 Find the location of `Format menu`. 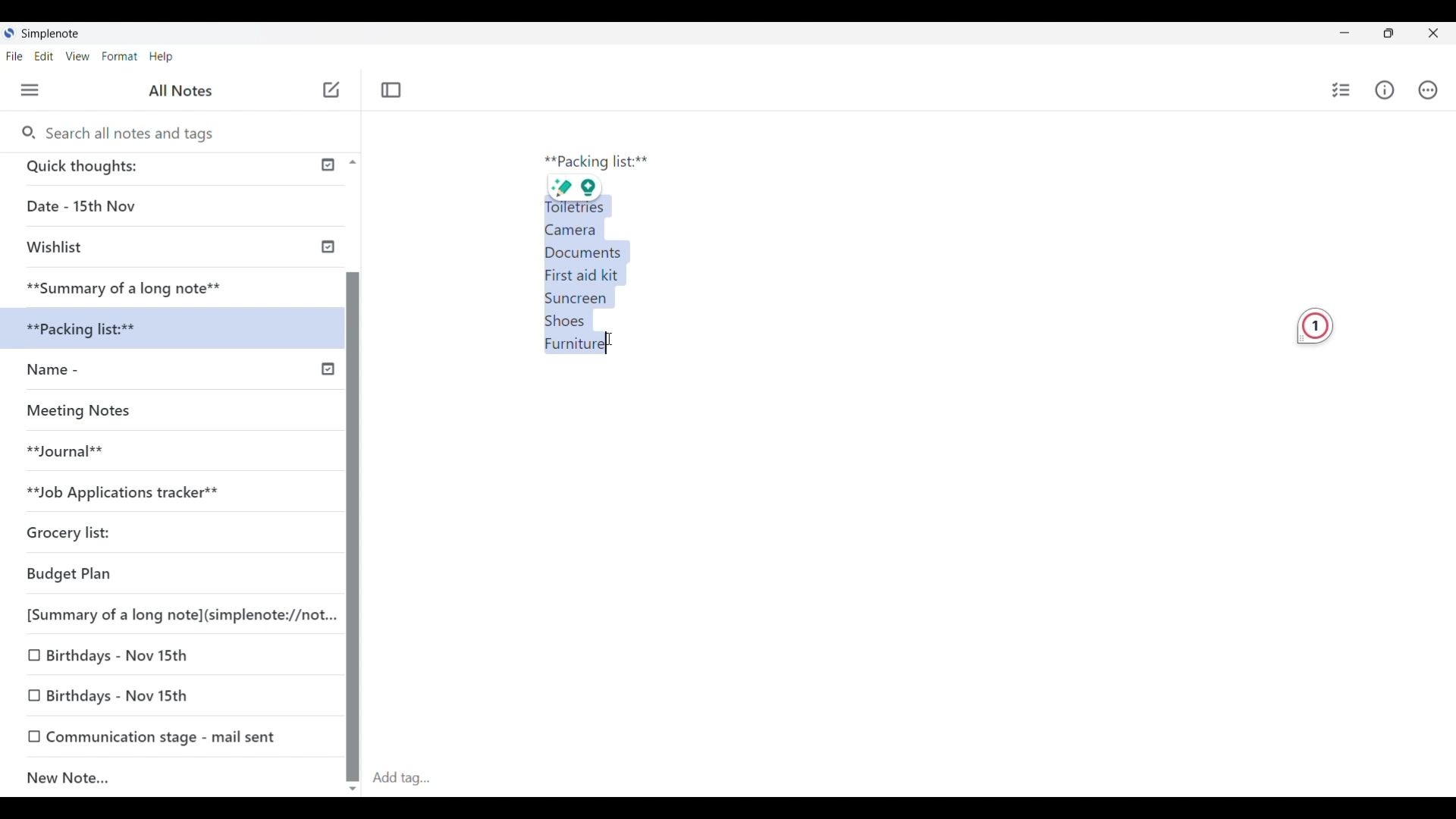

Format menu is located at coordinates (121, 57).